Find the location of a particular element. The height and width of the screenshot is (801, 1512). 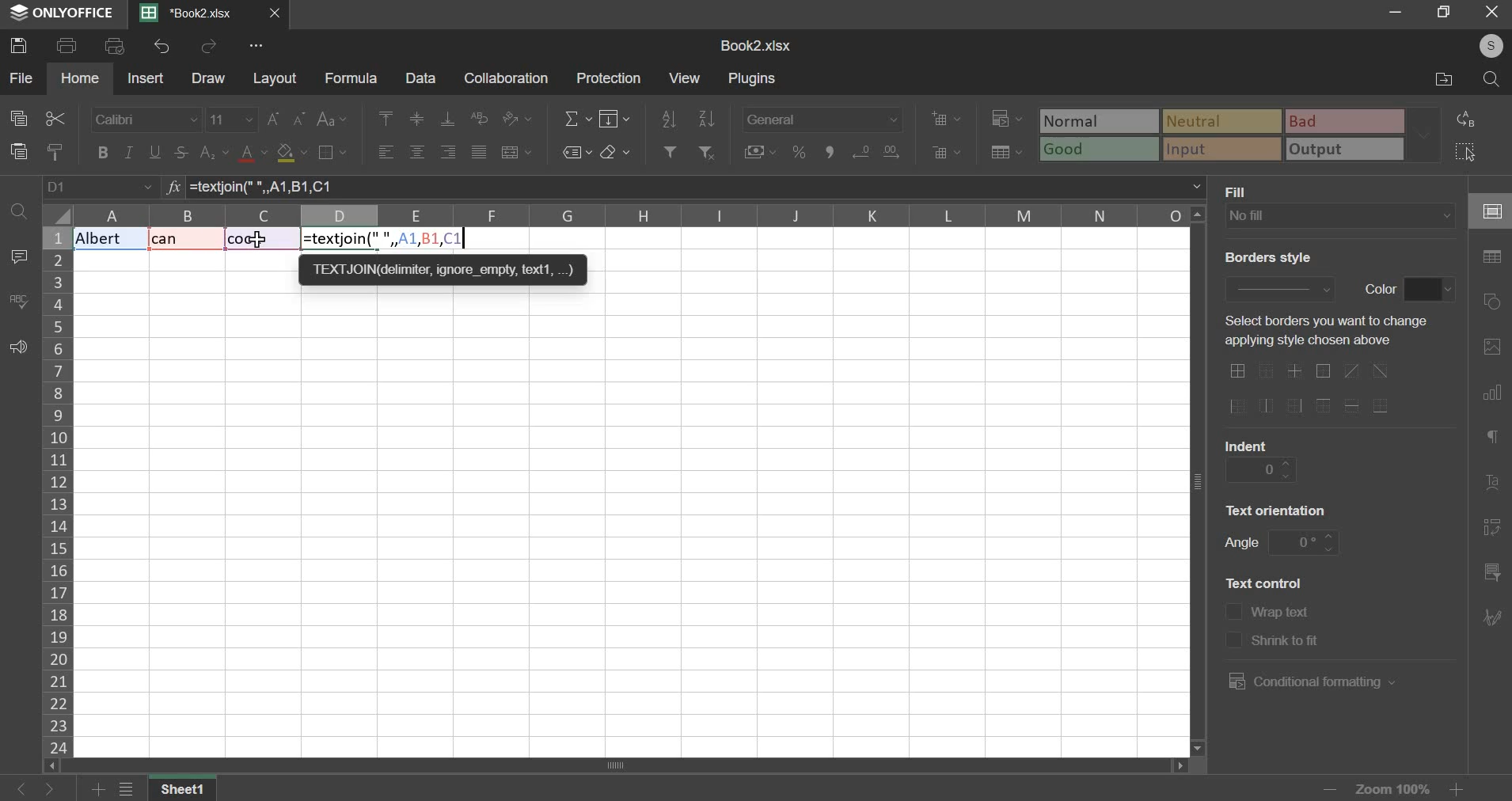

fill color is located at coordinates (291, 154).